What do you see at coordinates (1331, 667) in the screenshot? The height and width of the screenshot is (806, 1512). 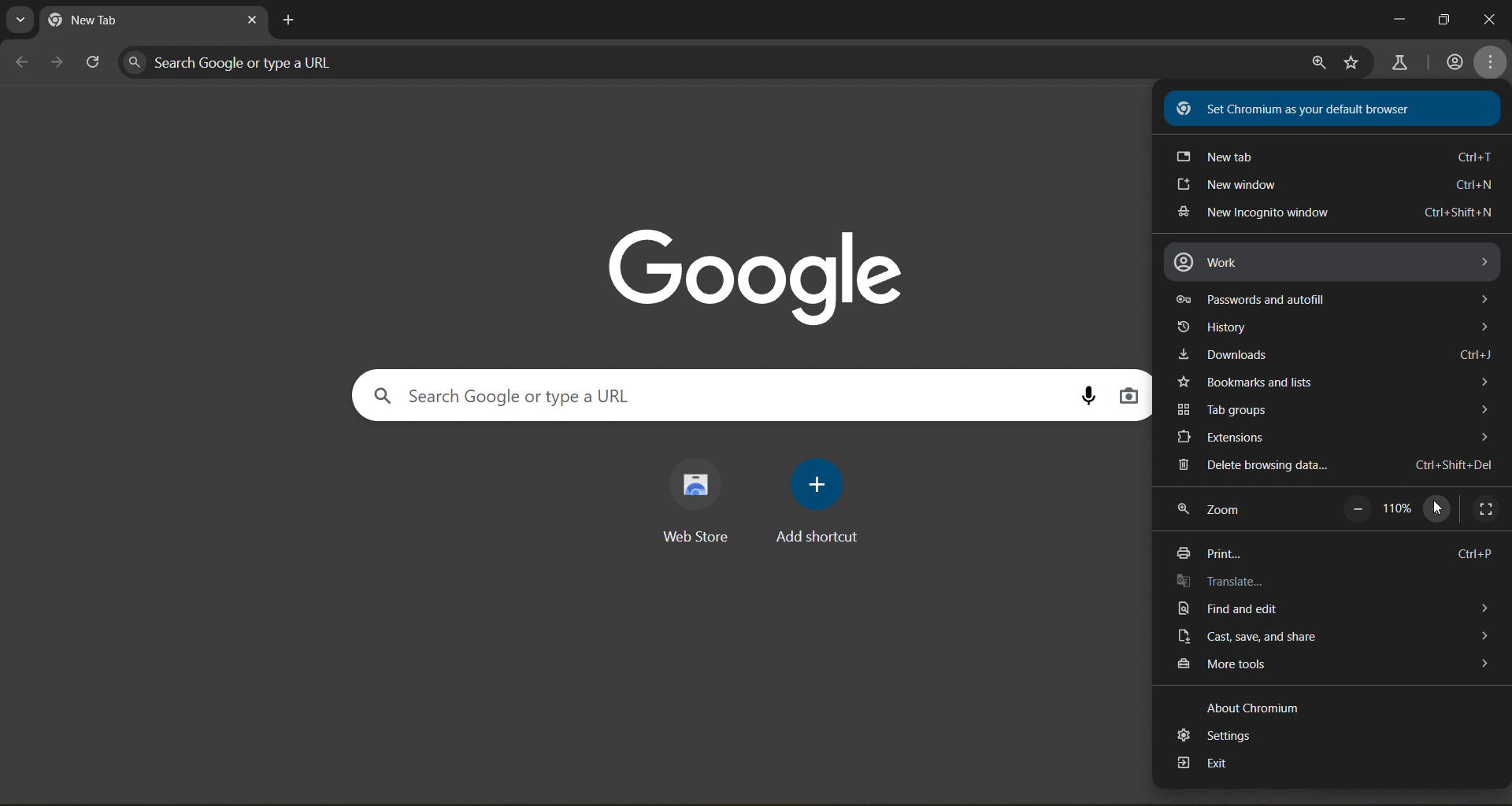 I see `more tools` at bounding box center [1331, 667].